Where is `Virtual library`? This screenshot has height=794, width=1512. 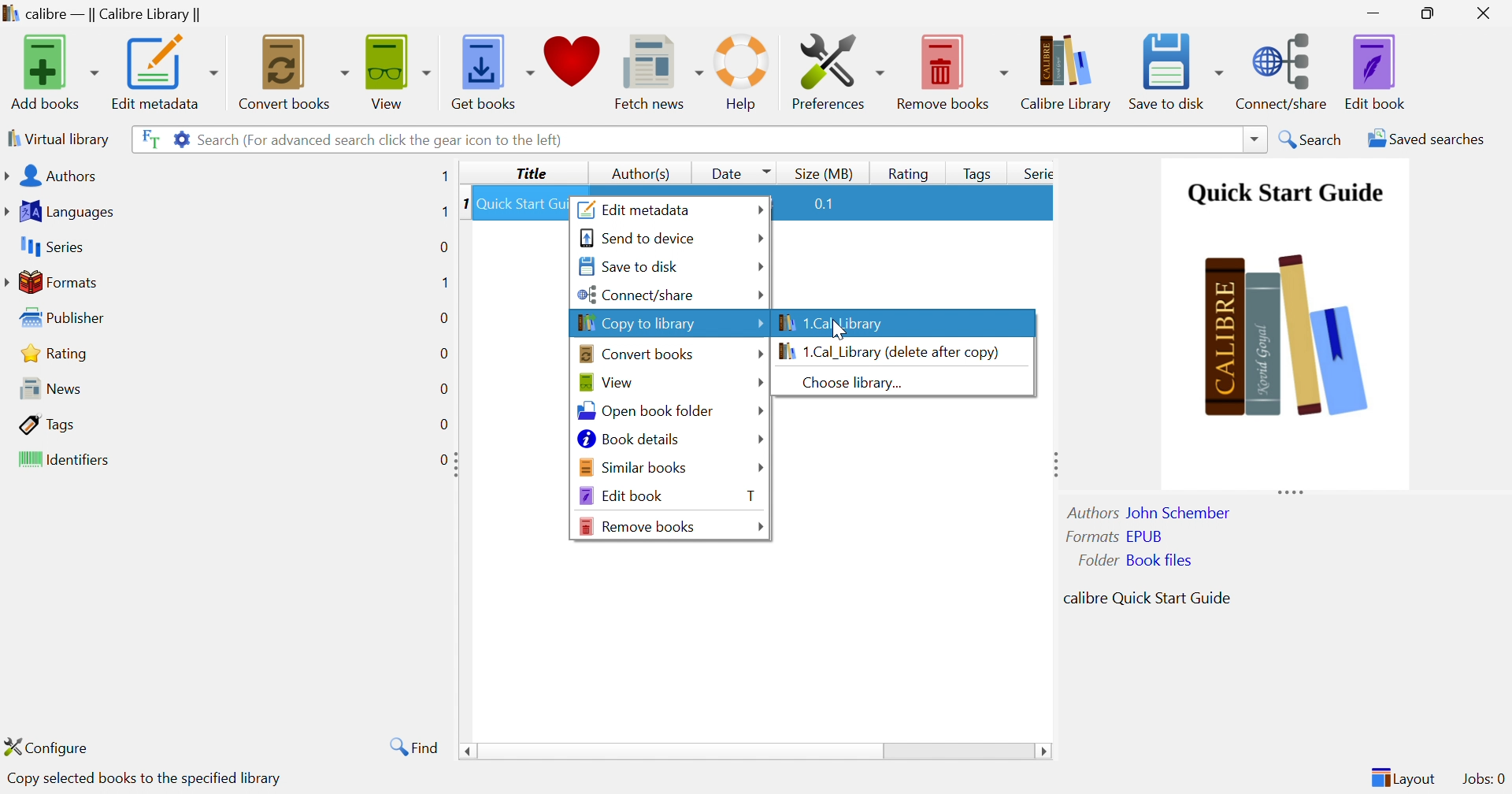
Virtual library is located at coordinates (59, 139).